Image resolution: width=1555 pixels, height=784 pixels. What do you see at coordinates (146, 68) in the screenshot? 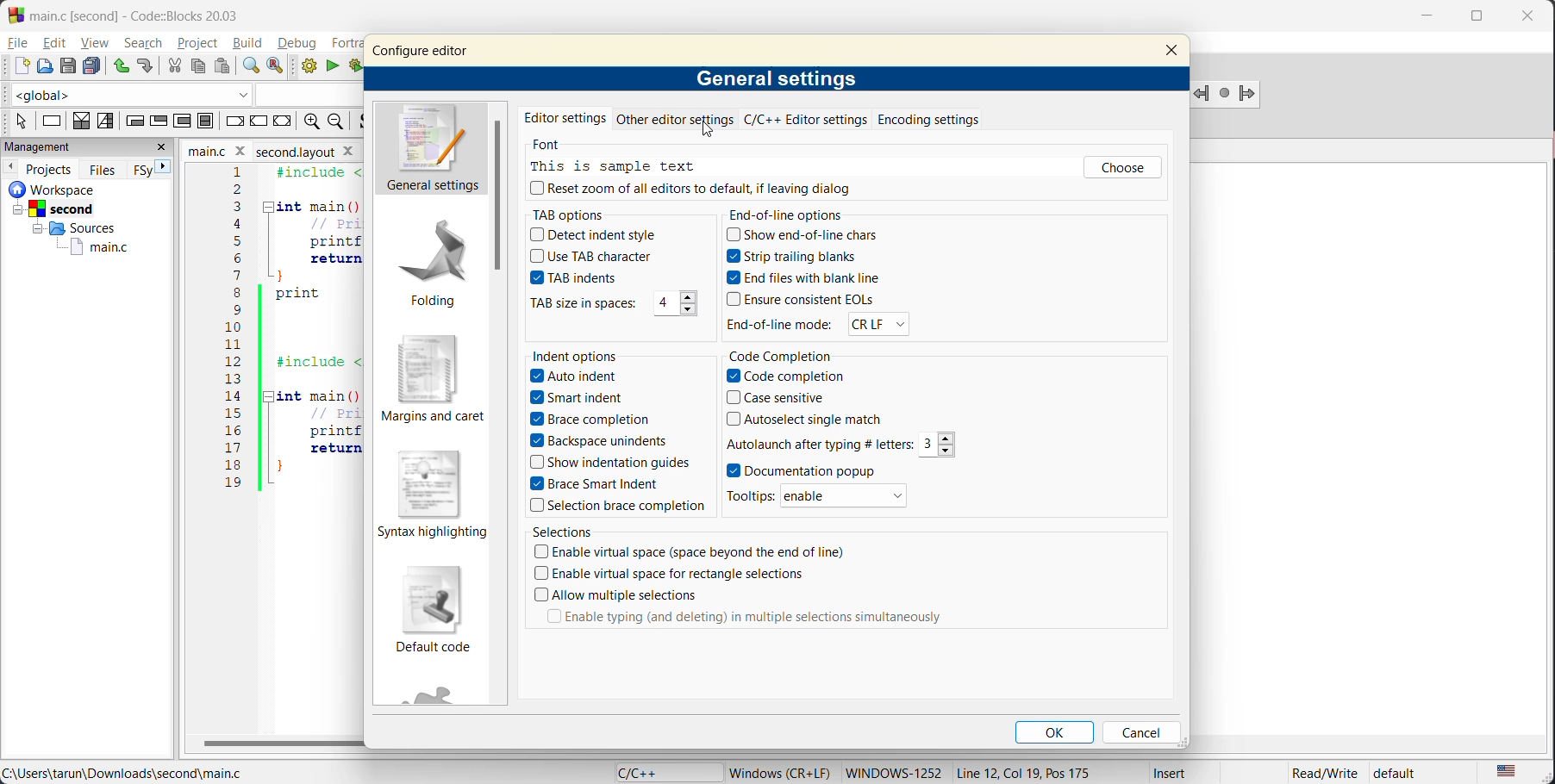
I see `redo` at bounding box center [146, 68].